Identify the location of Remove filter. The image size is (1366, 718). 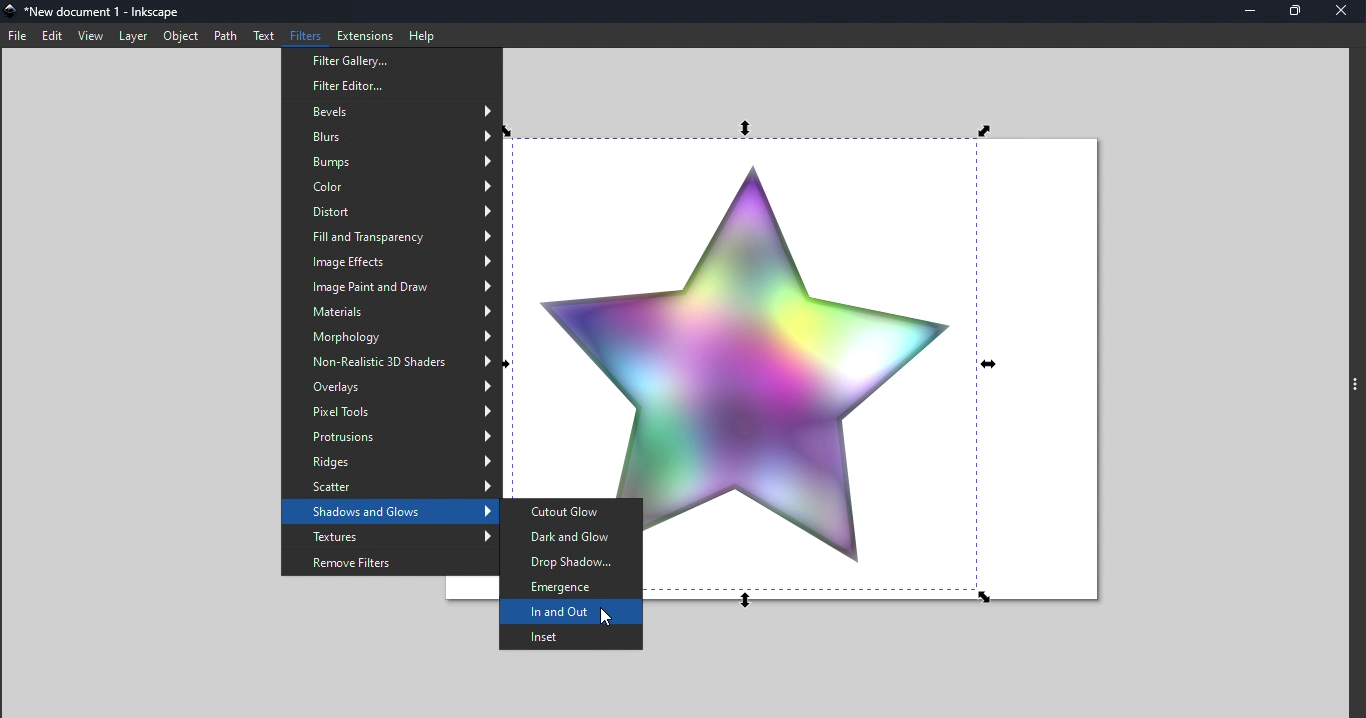
(392, 563).